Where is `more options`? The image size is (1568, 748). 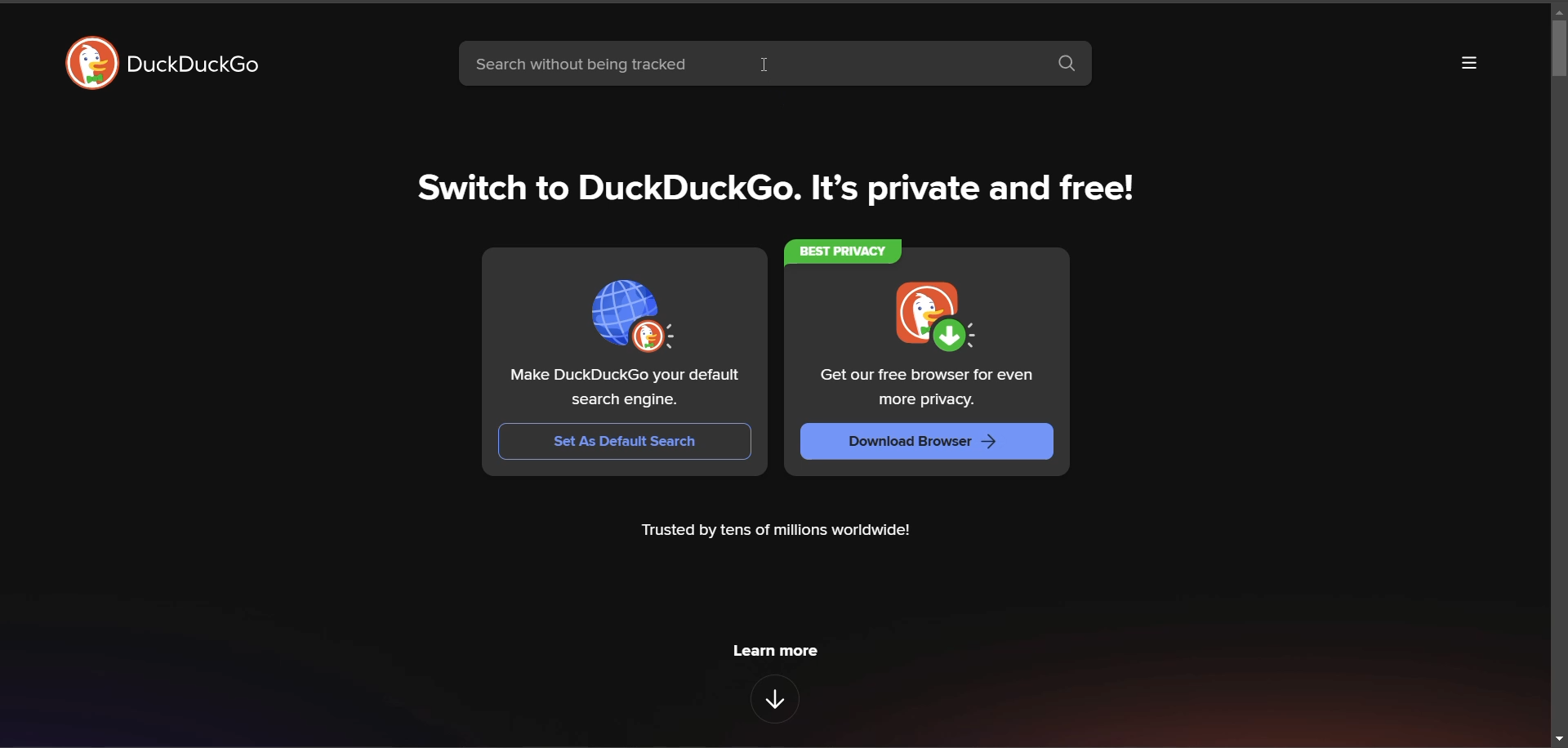
more options is located at coordinates (1468, 65).